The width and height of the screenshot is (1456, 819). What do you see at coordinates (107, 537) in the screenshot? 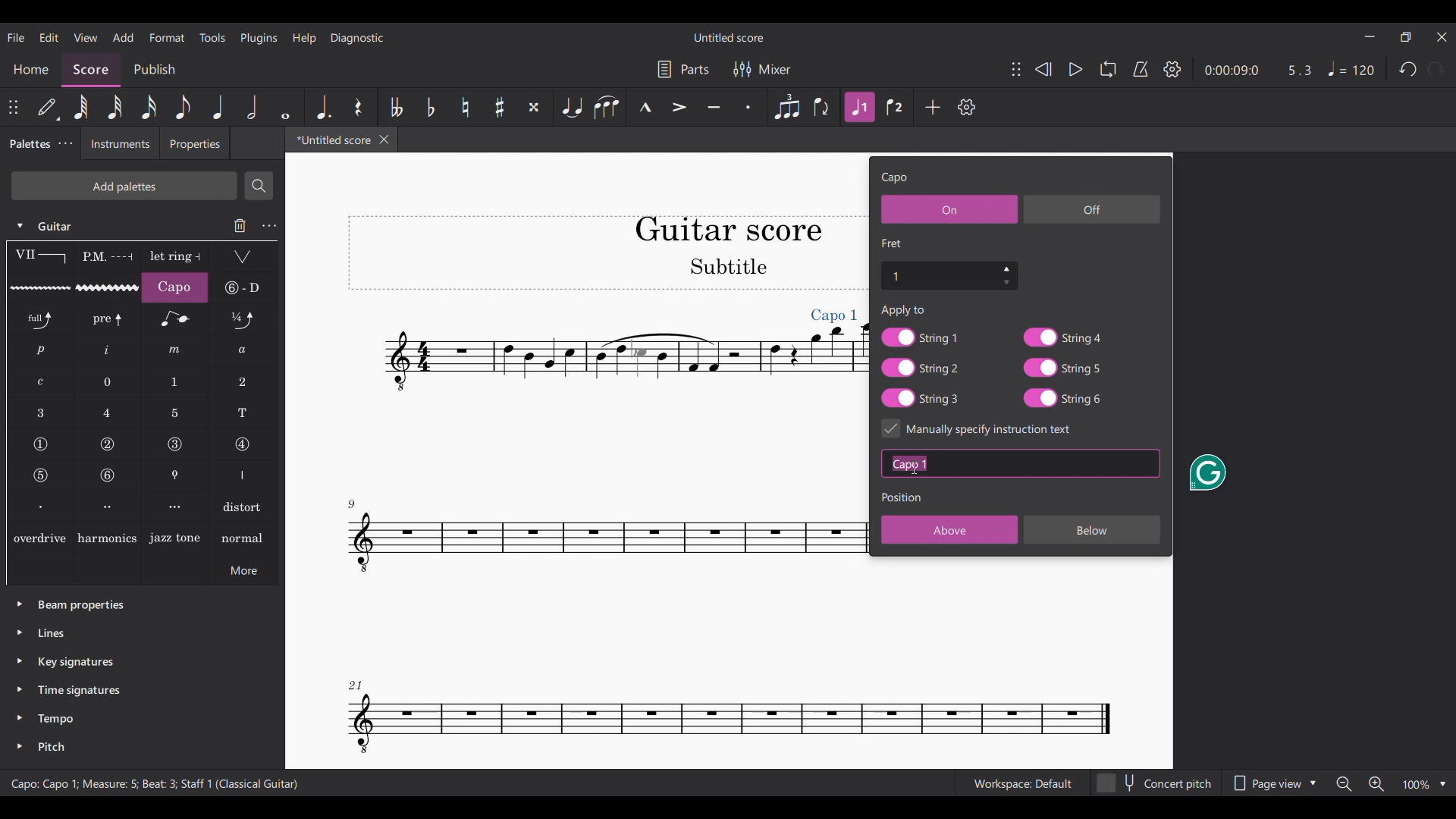
I see `Harmonics` at bounding box center [107, 537].